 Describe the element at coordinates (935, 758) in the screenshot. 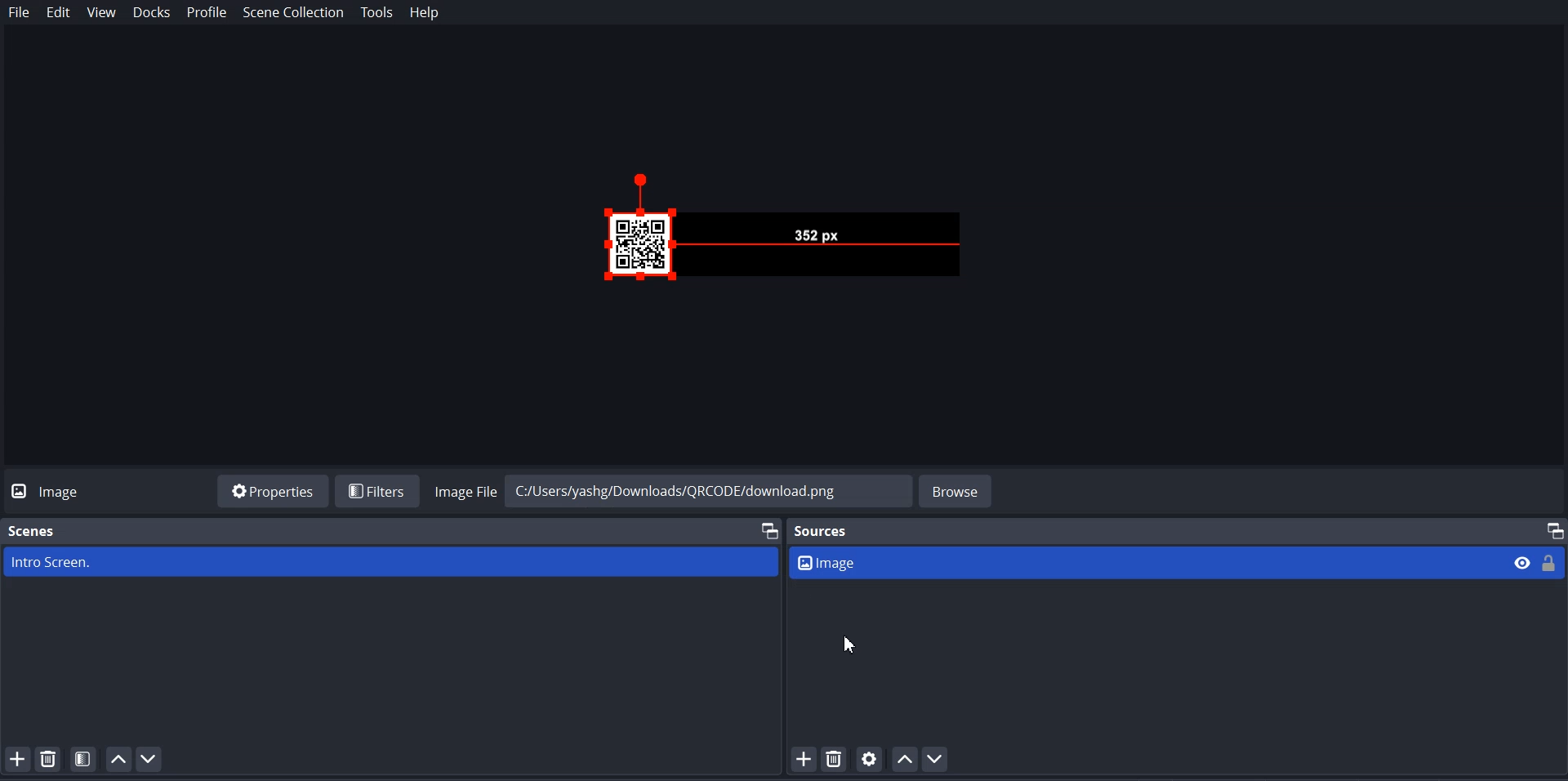

I see `Move Source Down` at that location.